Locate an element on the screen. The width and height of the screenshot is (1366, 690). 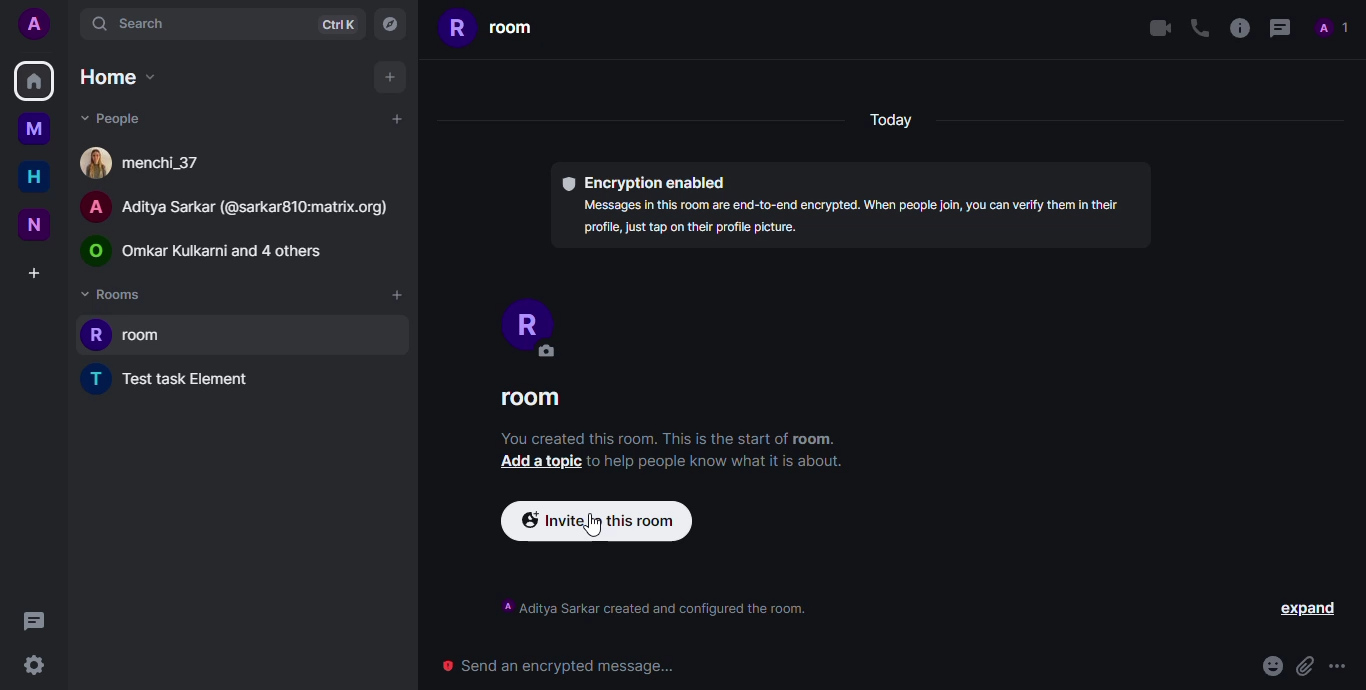
Invite in this room is located at coordinates (599, 524).